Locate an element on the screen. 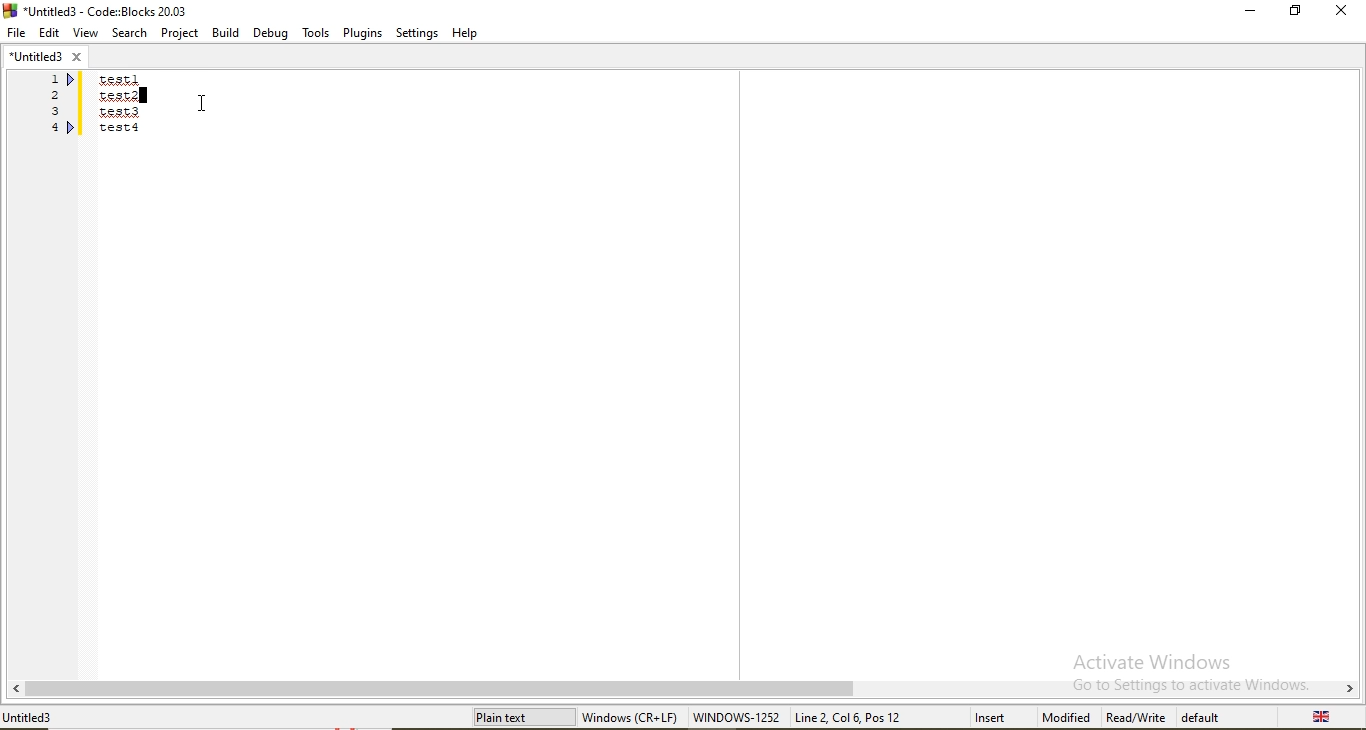 This screenshot has width=1366, height=730. View  is located at coordinates (83, 32).